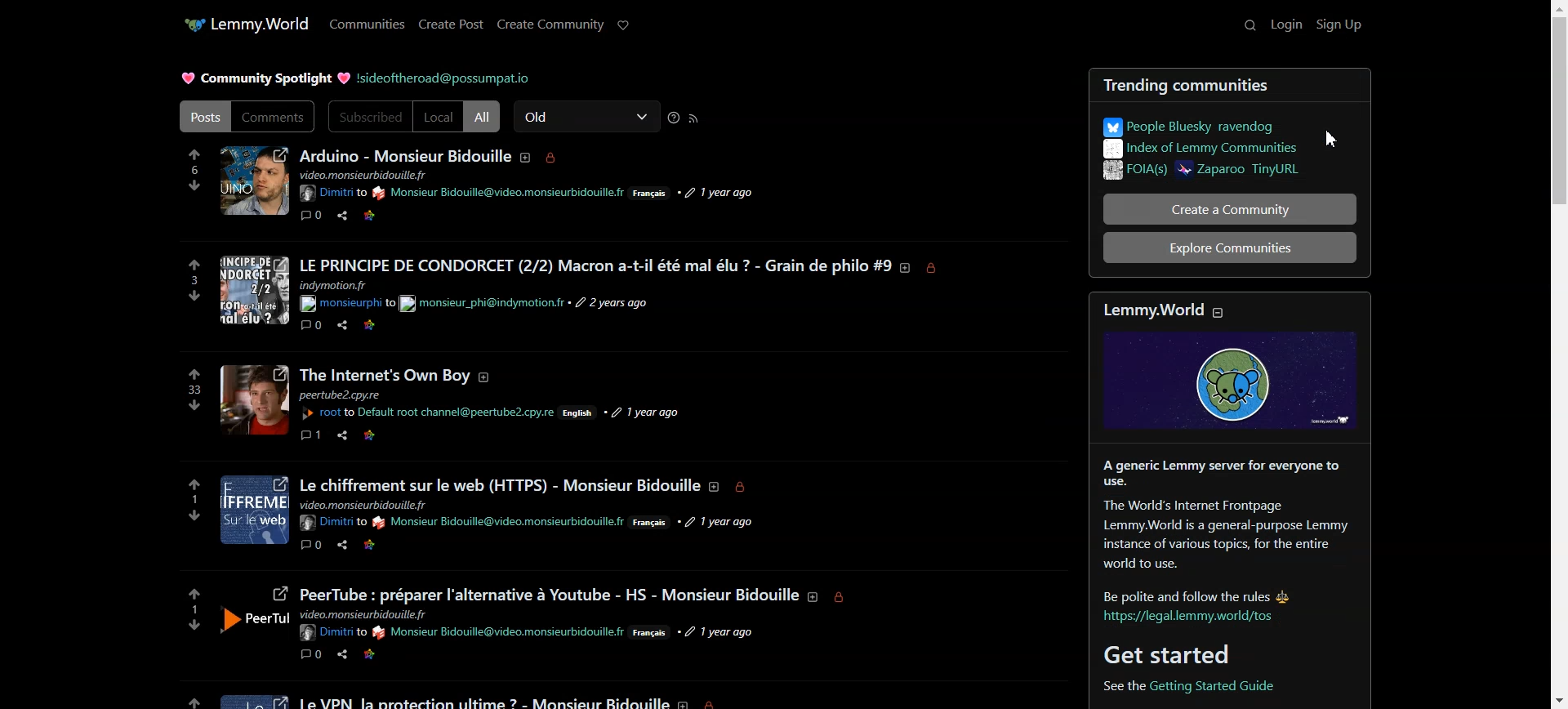  I want to click on save, so click(396, 327).